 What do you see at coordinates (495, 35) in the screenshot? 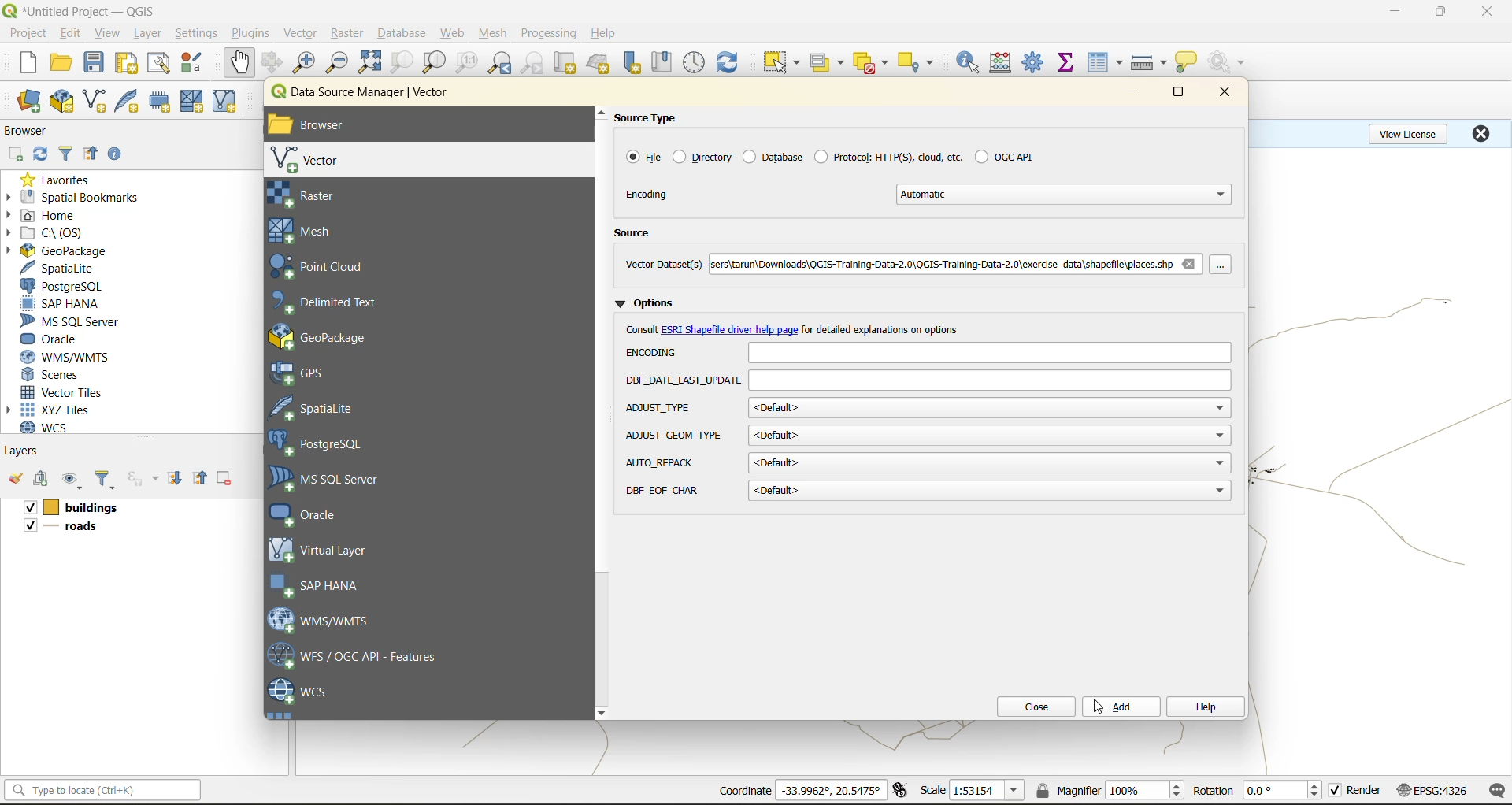
I see `mesh` at bounding box center [495, 35].